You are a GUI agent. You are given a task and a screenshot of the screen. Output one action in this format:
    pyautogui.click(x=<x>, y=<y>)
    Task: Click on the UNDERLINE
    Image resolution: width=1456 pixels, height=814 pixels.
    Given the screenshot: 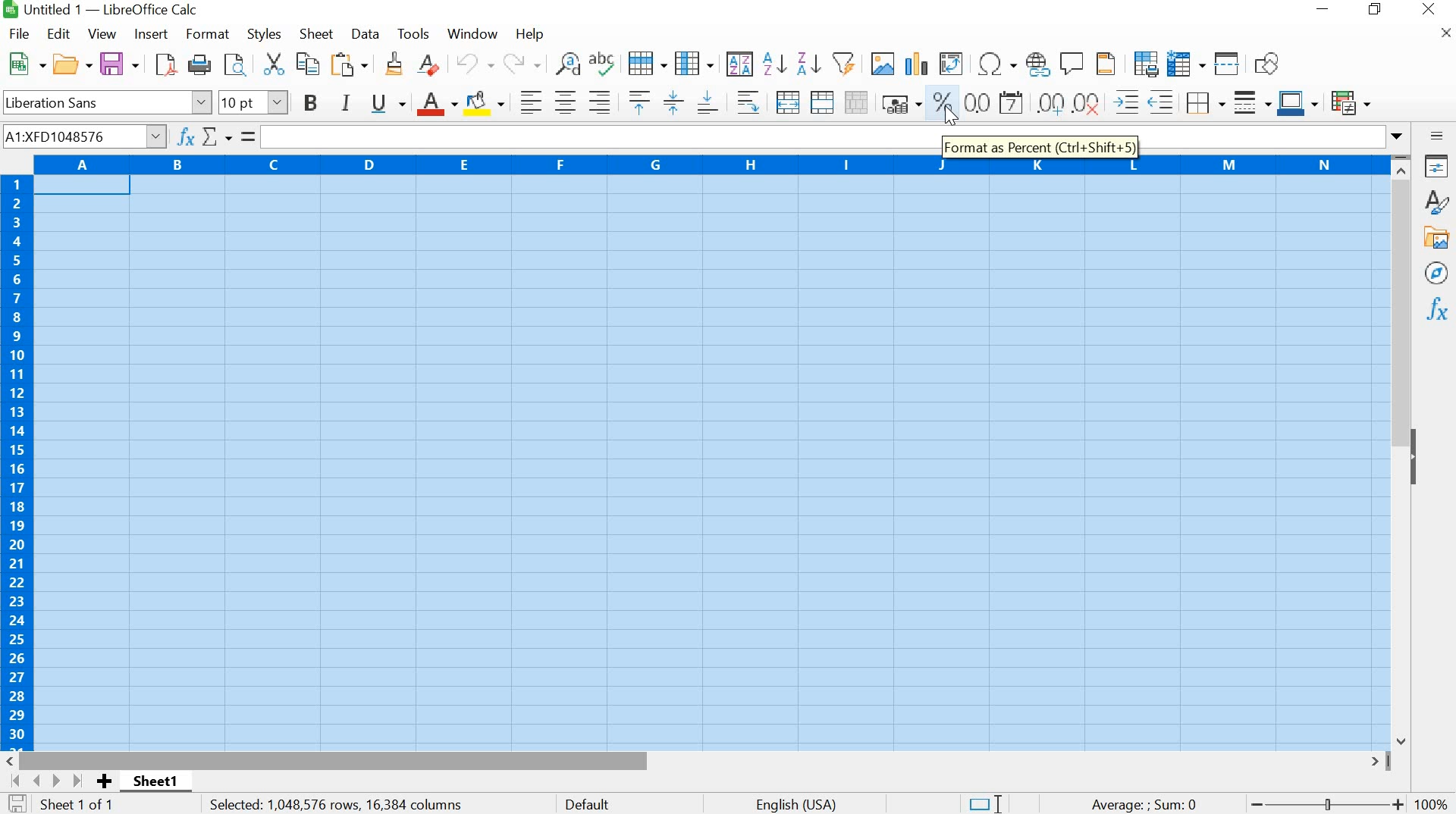 What is the action you would take?
    pyautogui.click(x=388, y=103)
    